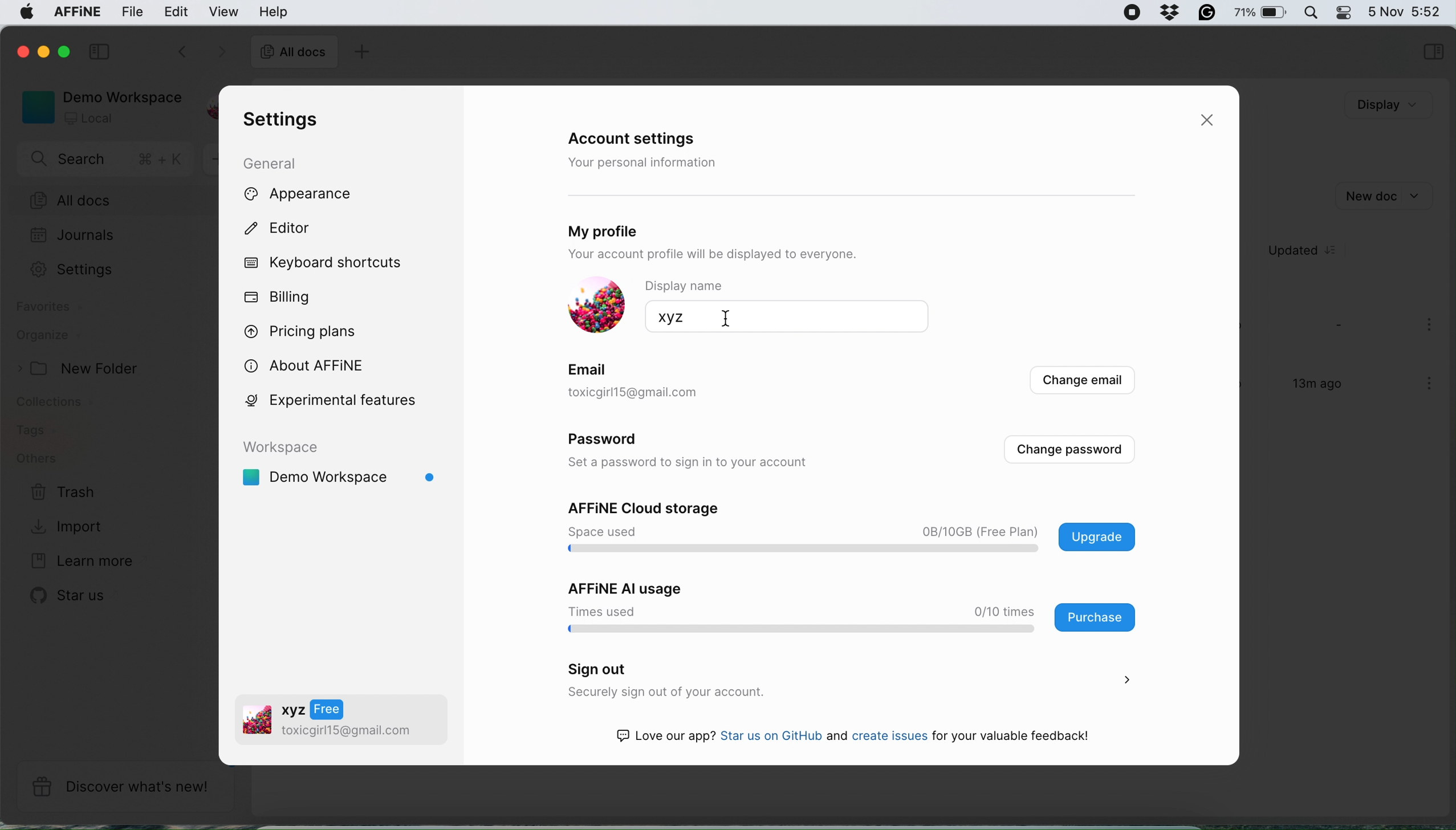 This screenshot has width=1456, height=830. Describe the element at coordinates (1382, 194) in the screenshot. I see `new doc` at that location.